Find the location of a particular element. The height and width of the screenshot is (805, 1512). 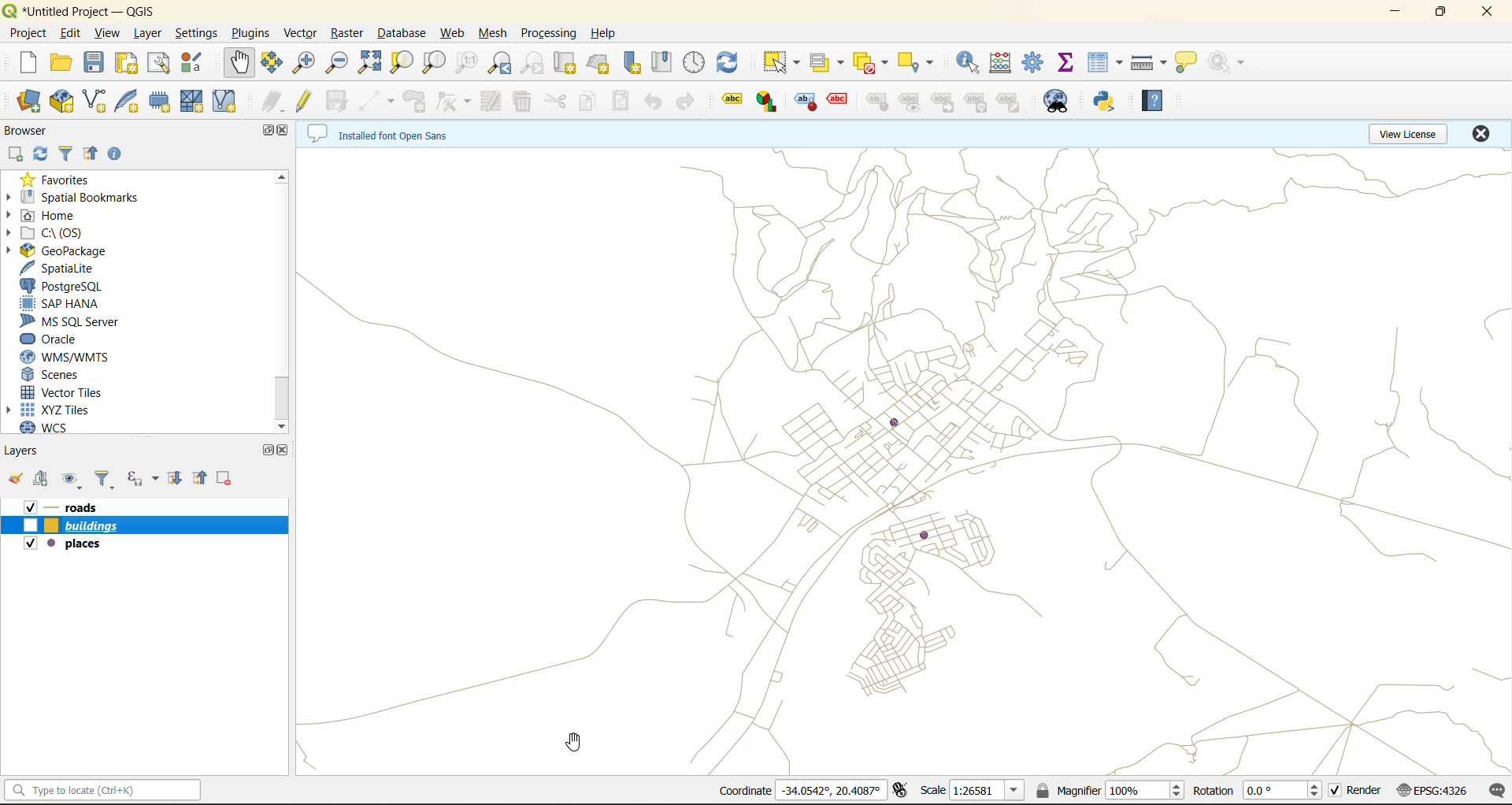

print layout is located at coordinates (130, 65).